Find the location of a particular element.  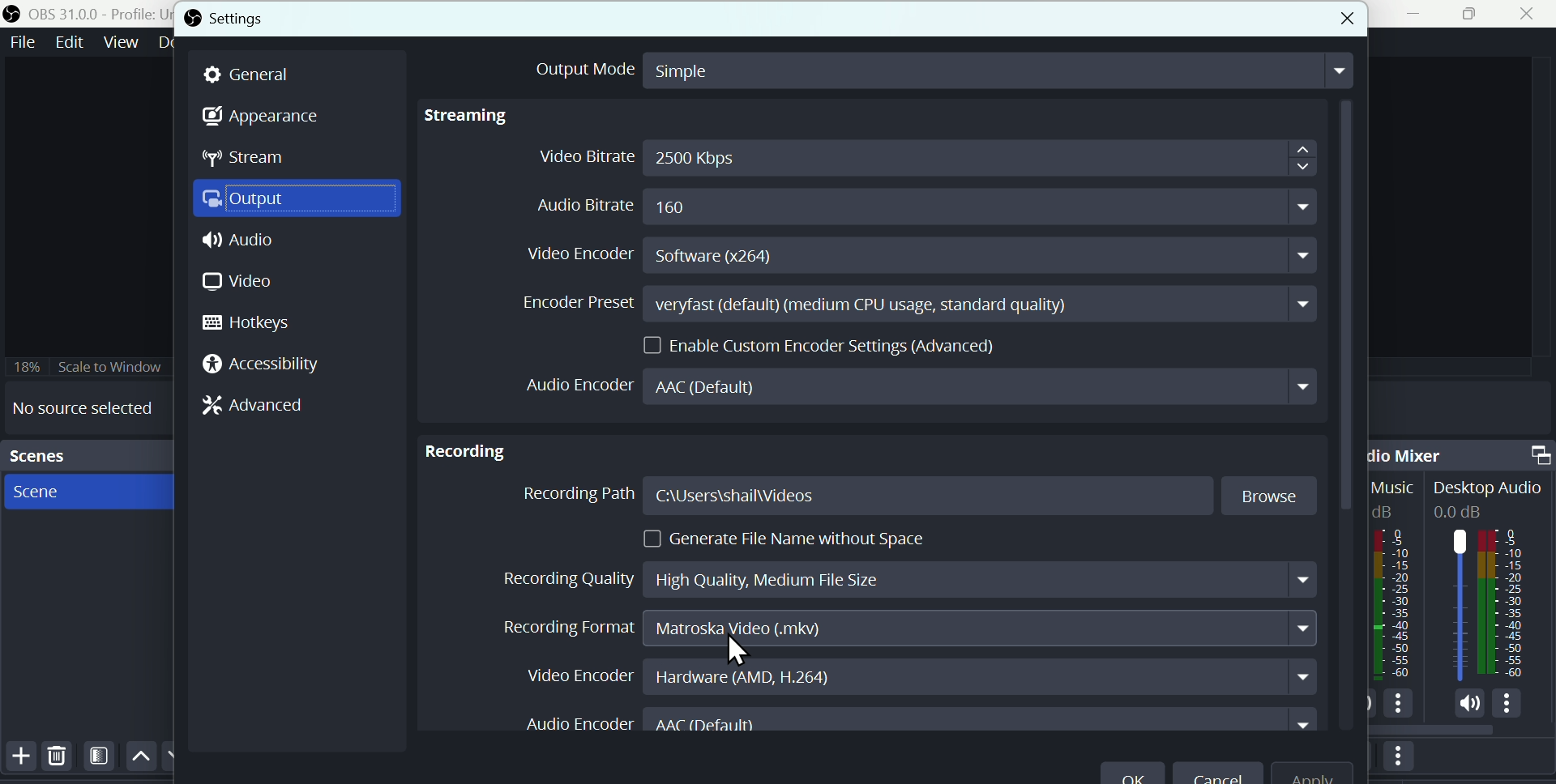

cancel is located at coordinates (1220, 770).